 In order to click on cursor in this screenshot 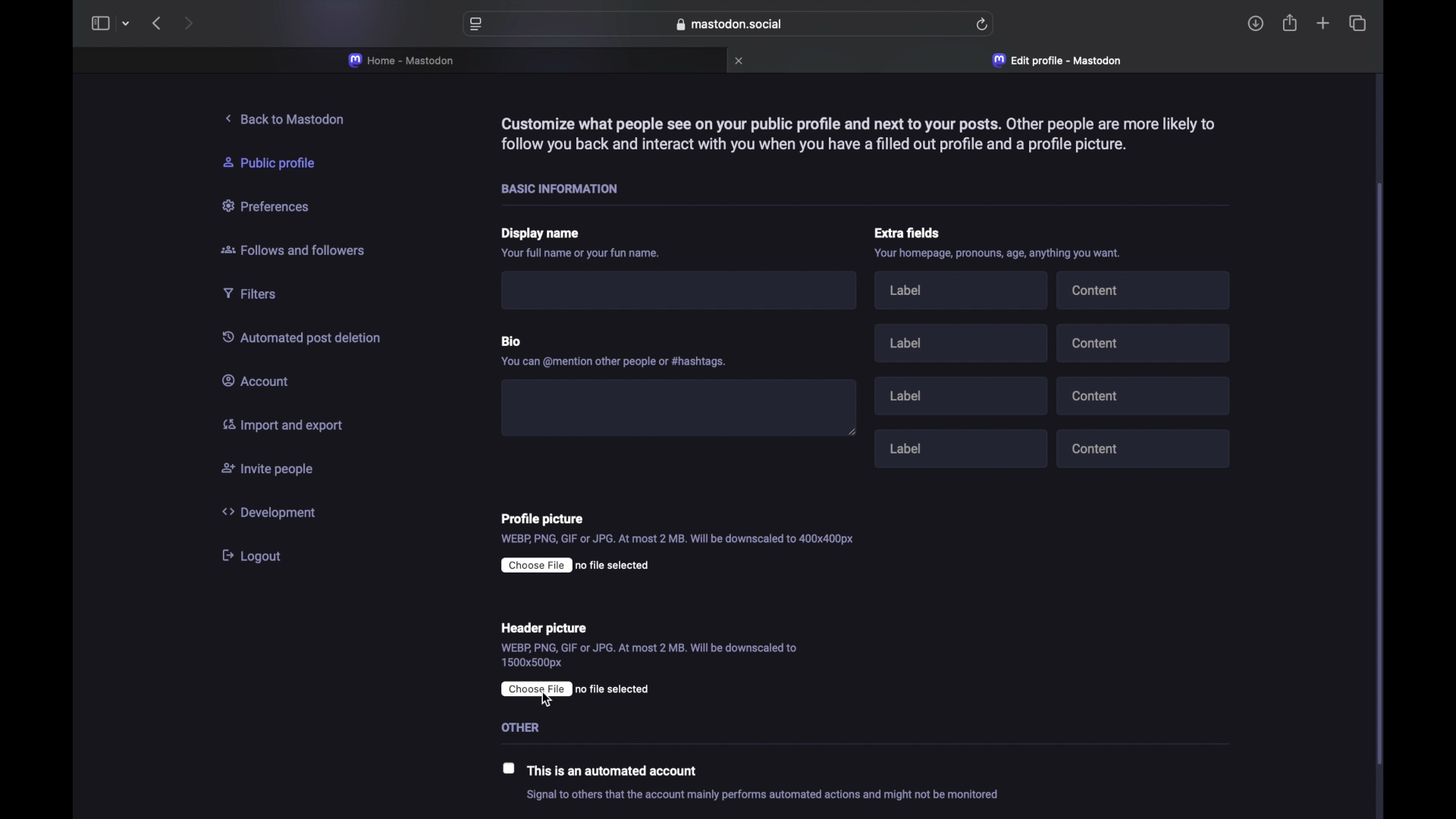, I will do `click(548, 701)`.